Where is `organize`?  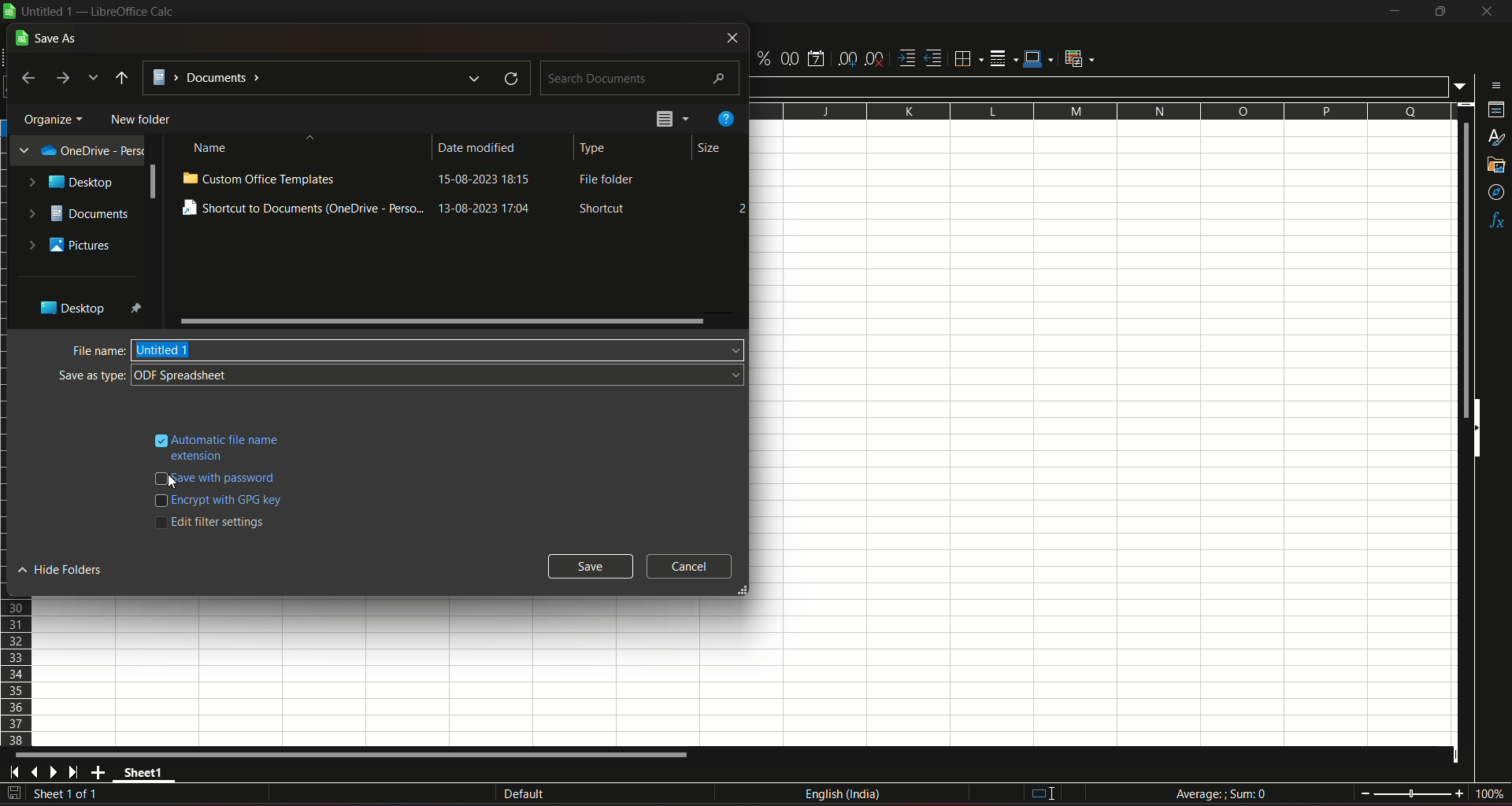
organize is located at coordinates (54, 117).